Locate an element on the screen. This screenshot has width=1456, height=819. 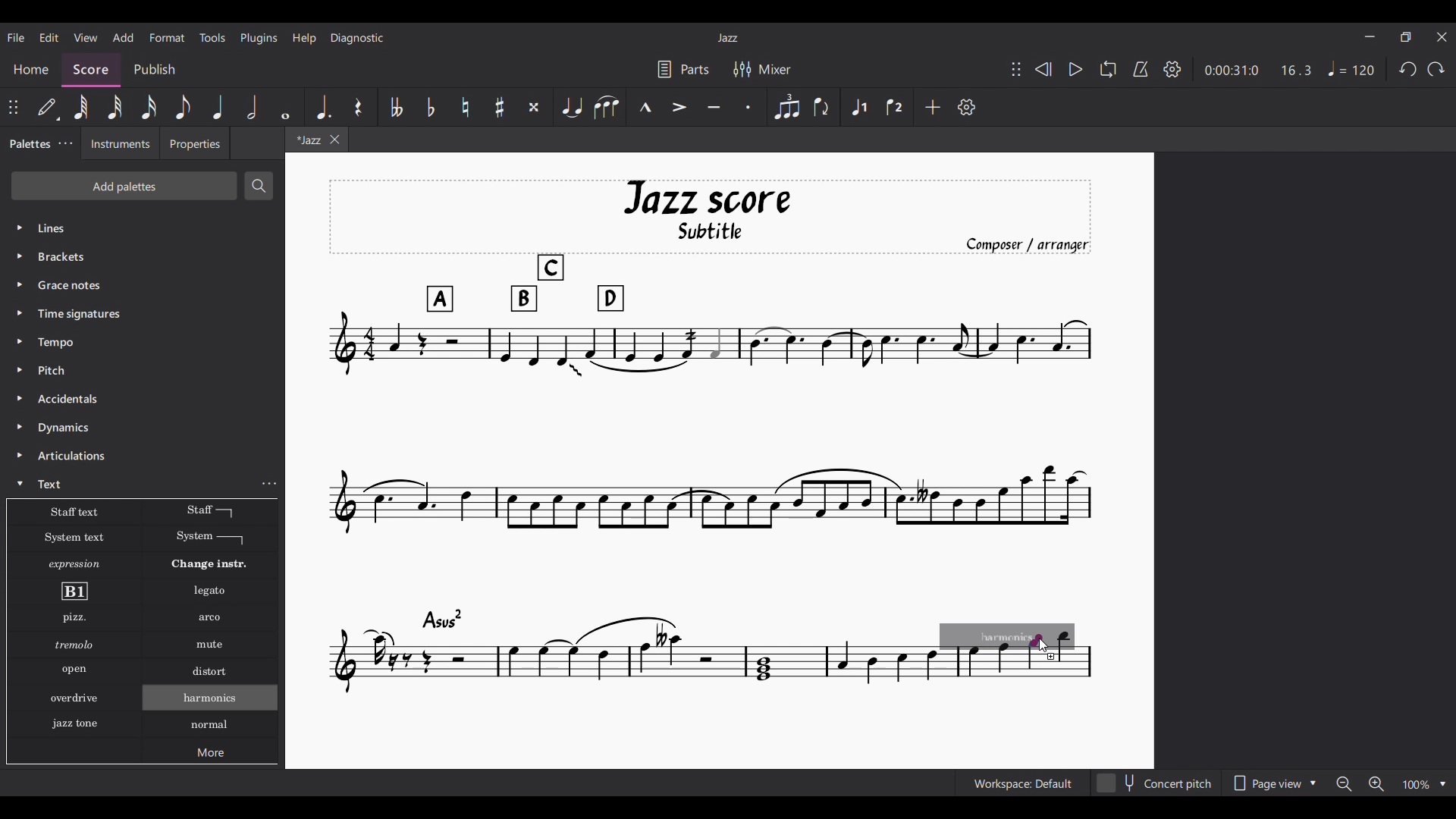
Mixer settings is located at coordinates (761, 68).